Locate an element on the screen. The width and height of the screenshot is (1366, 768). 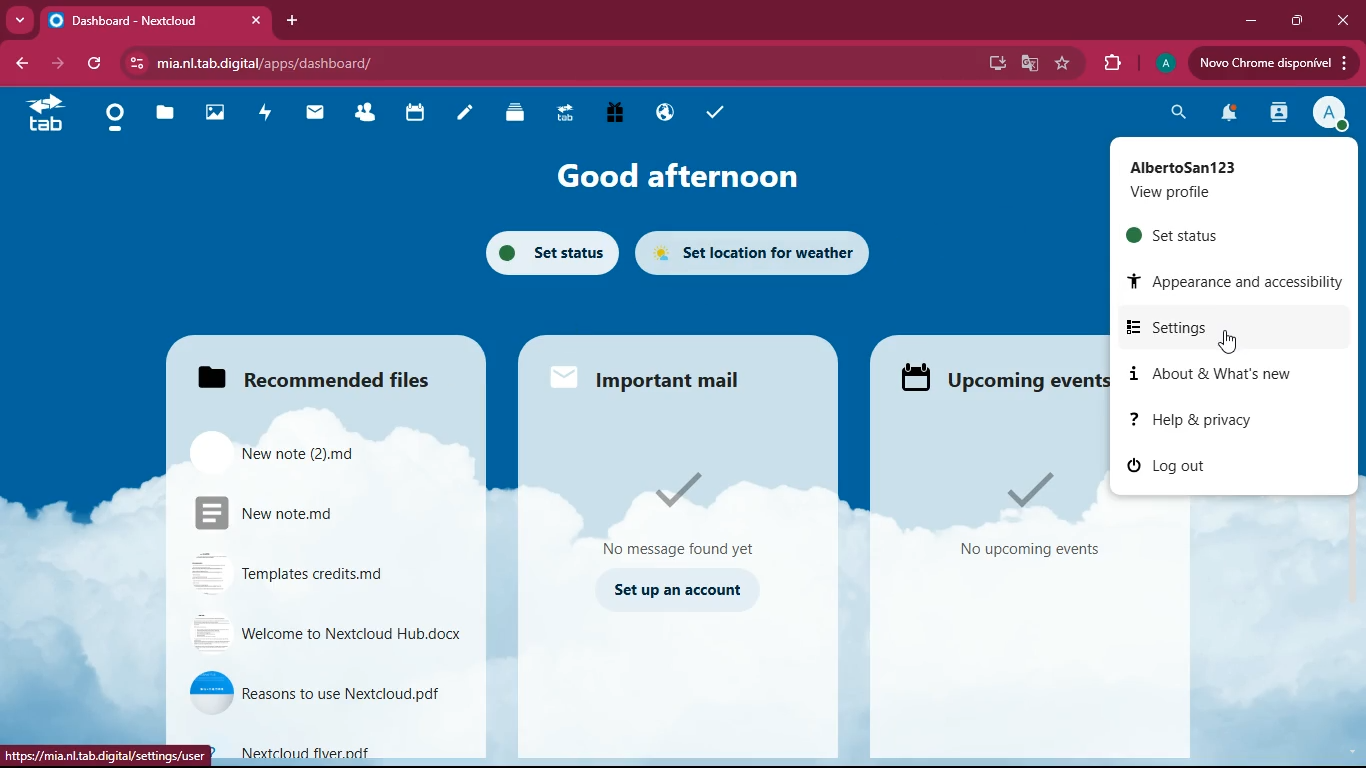
messages is located at coordinates (686, 515).